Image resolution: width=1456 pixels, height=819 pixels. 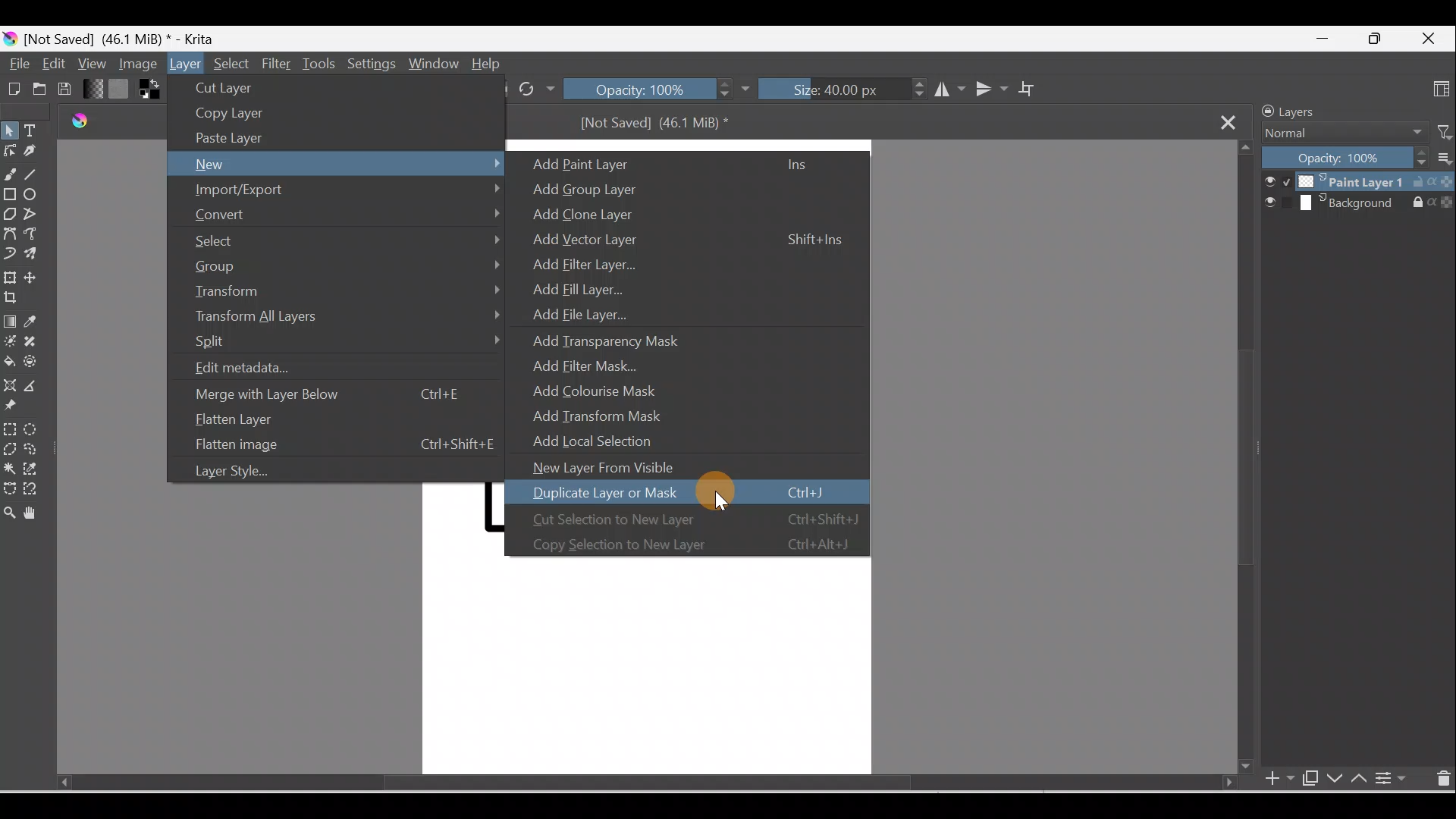 What do you see at coordinates (1442, 780) in the screenshot?
I see `Delete layer/mask` at bounding box center [1442, 780].